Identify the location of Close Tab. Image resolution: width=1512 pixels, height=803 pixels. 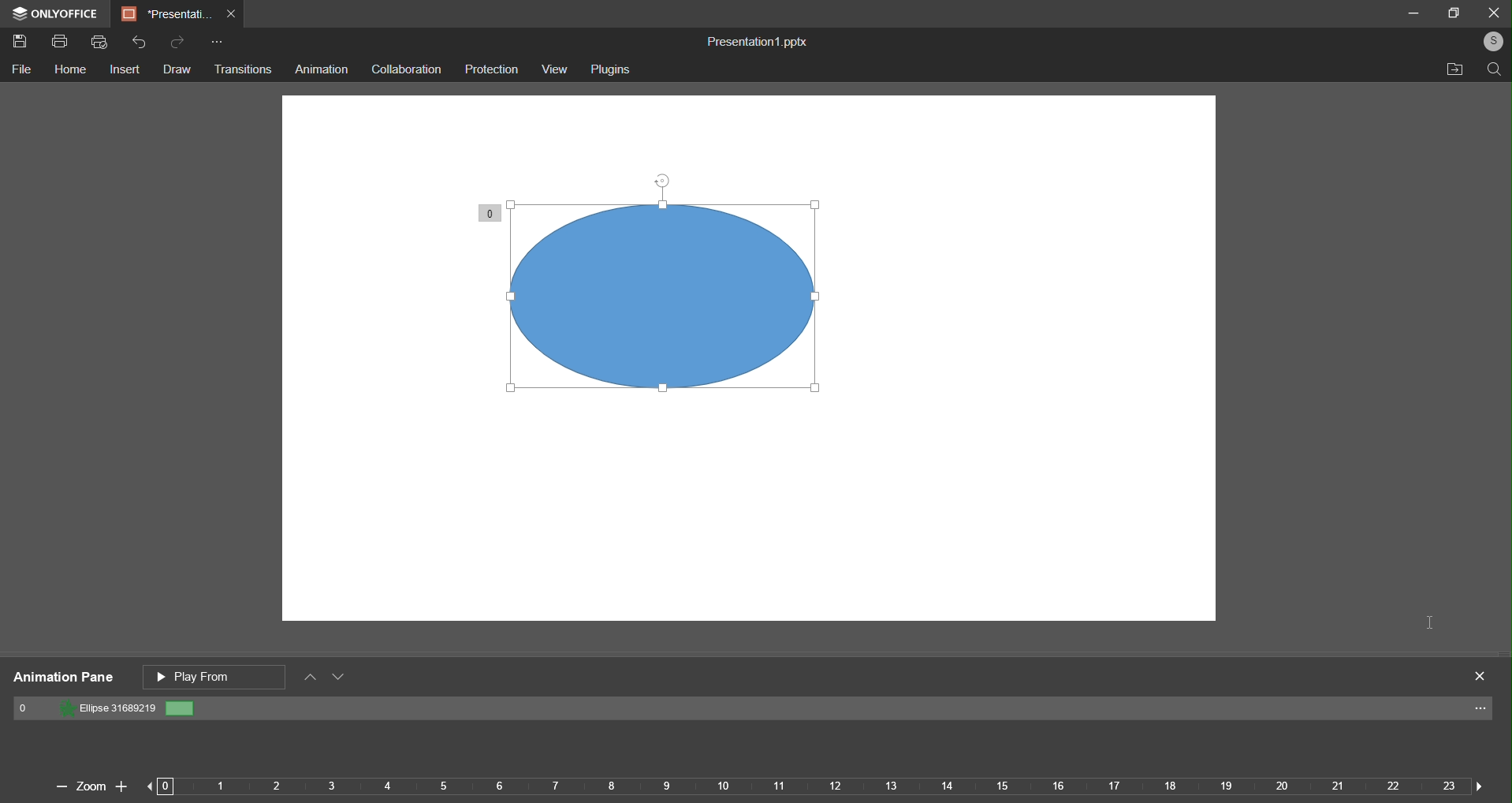
(234, 15).